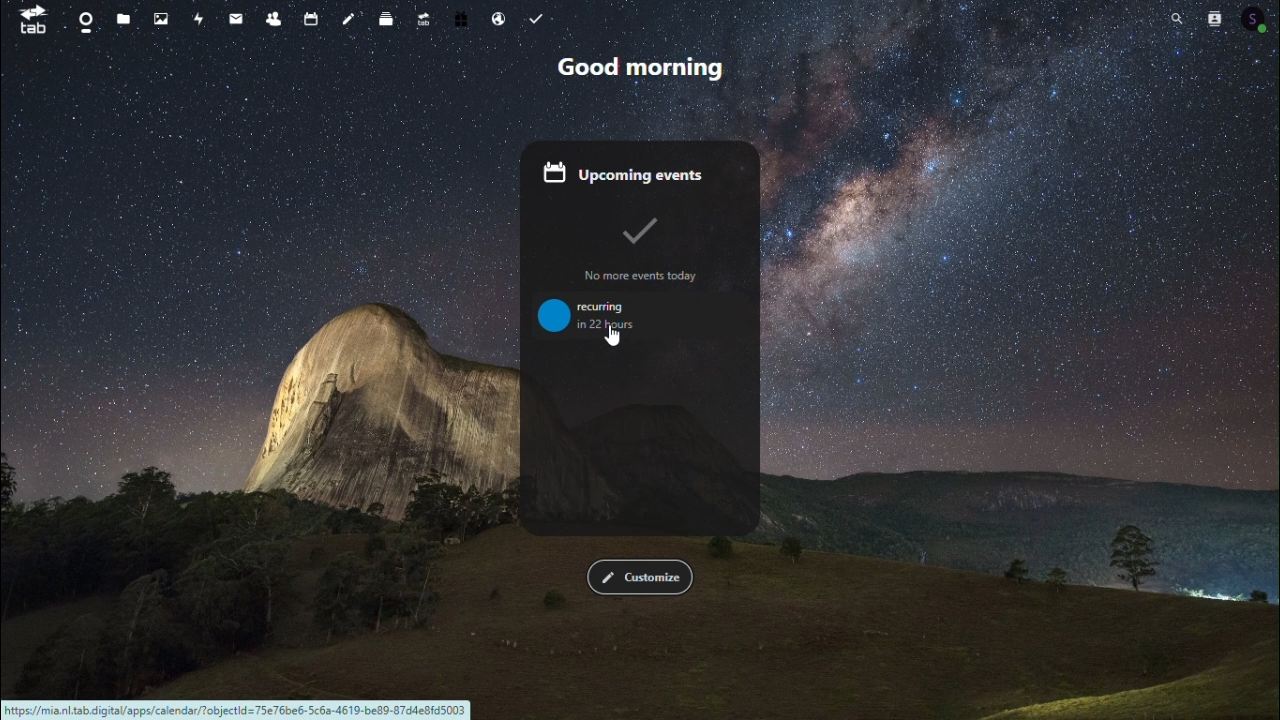  What do you see at coordinates (82, 20) in the screenshot?
I see `Dashboard` at bounding box center [82, 20].